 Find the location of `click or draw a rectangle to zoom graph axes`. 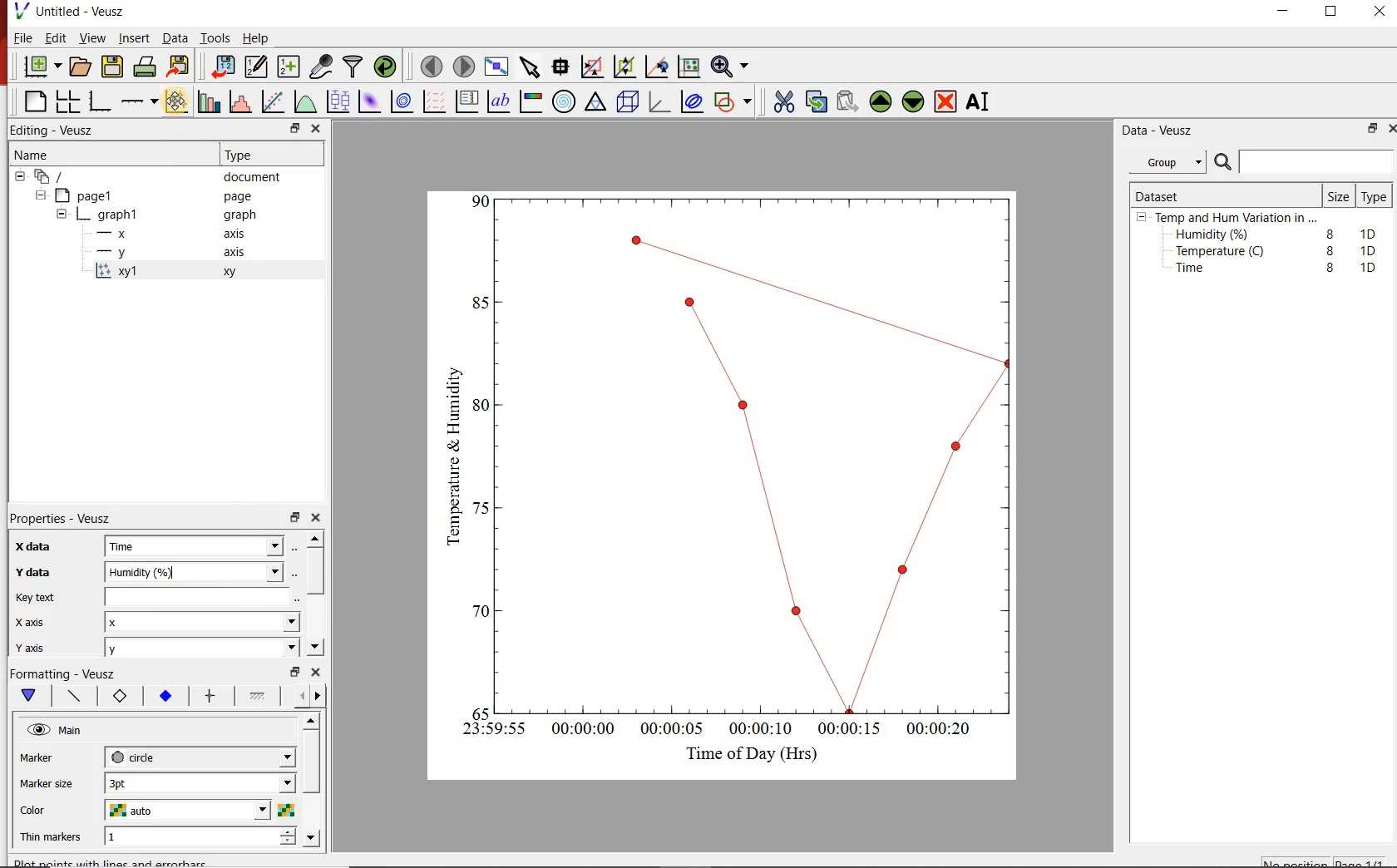

click or draw a rectangle to zoom graph axes is located at coordinates (595, 67).